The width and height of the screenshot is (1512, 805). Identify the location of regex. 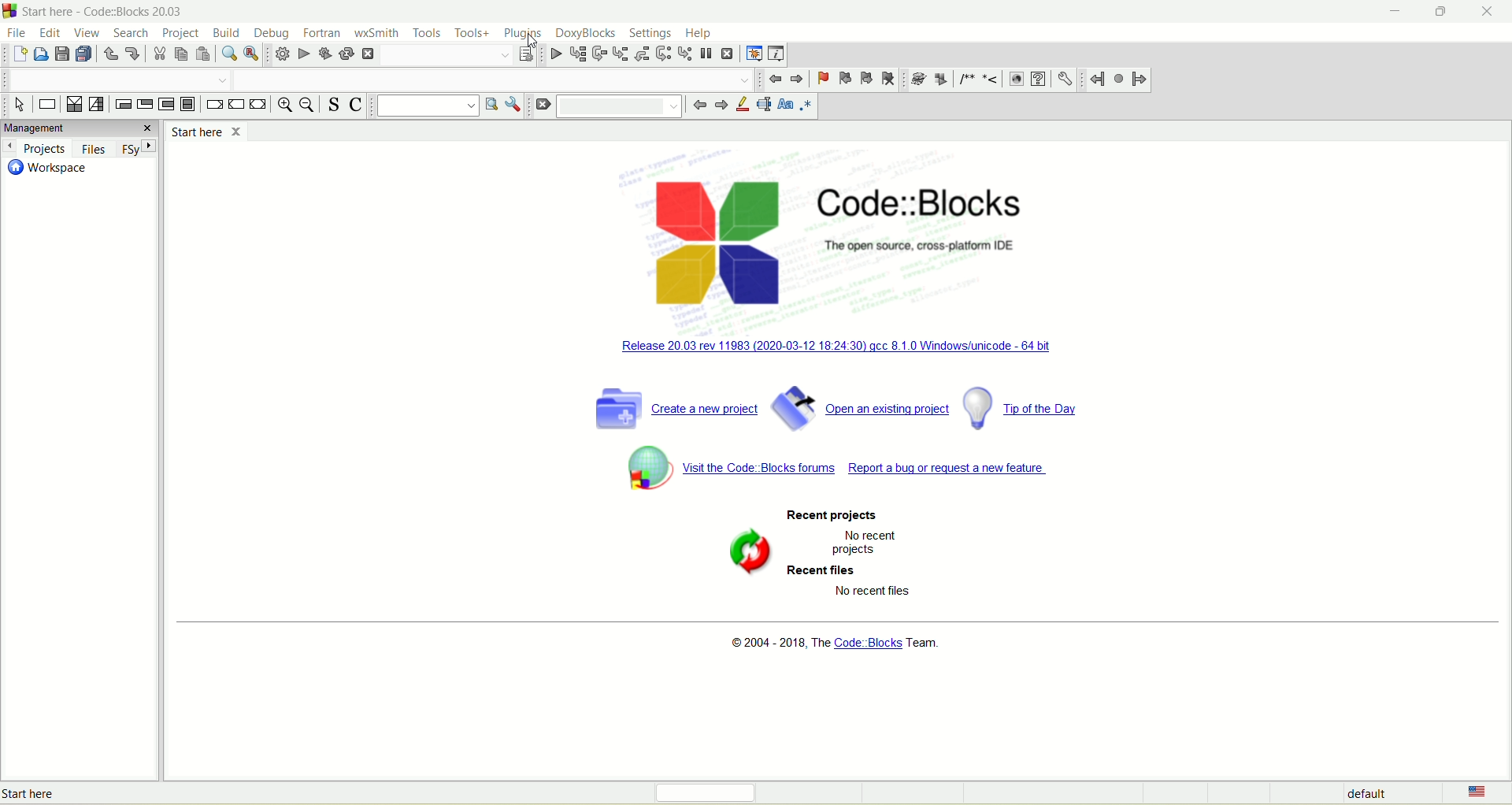
(806, 106).